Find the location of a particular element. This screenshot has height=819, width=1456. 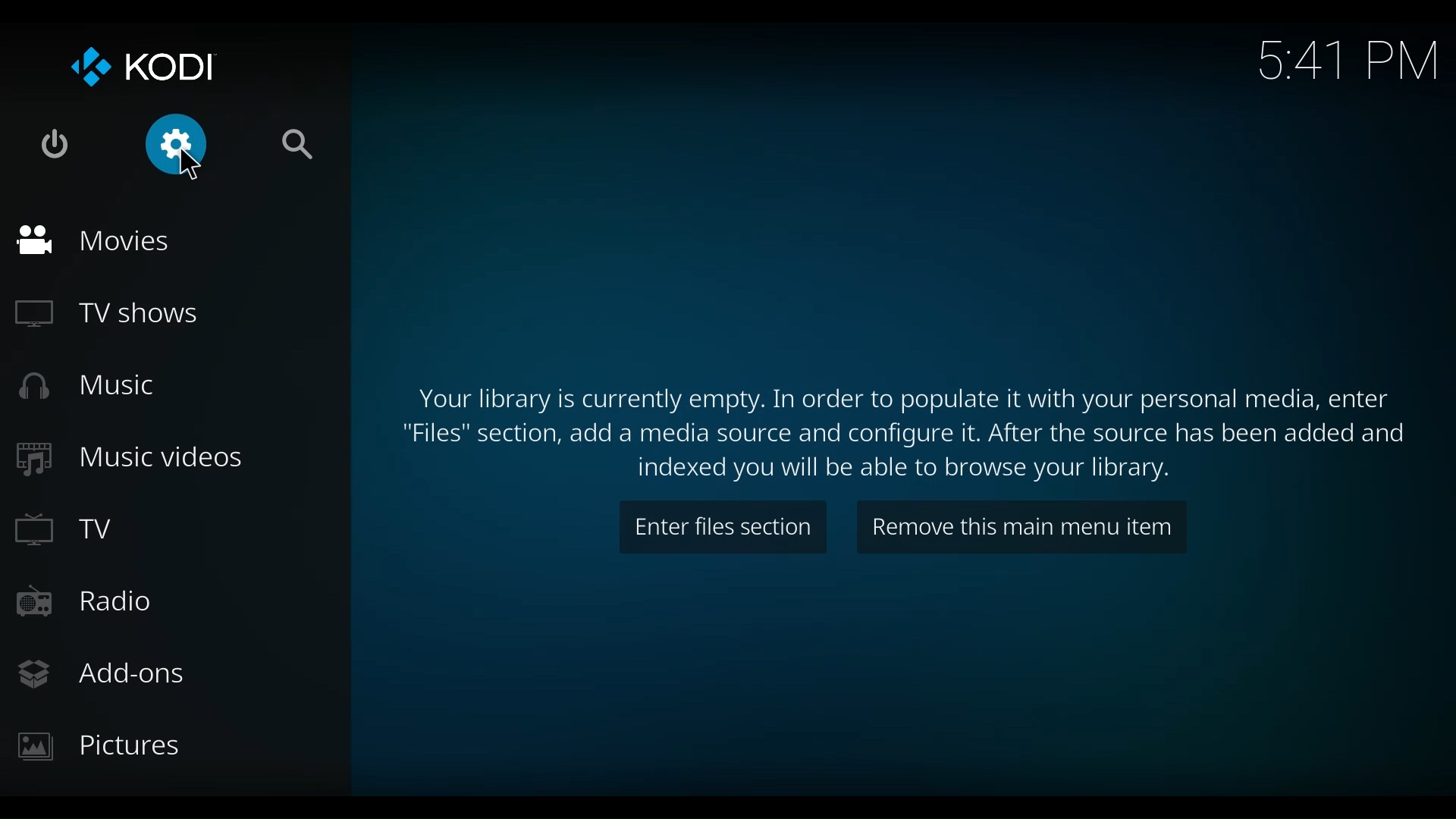

TV is located at coordinates (70, 531).